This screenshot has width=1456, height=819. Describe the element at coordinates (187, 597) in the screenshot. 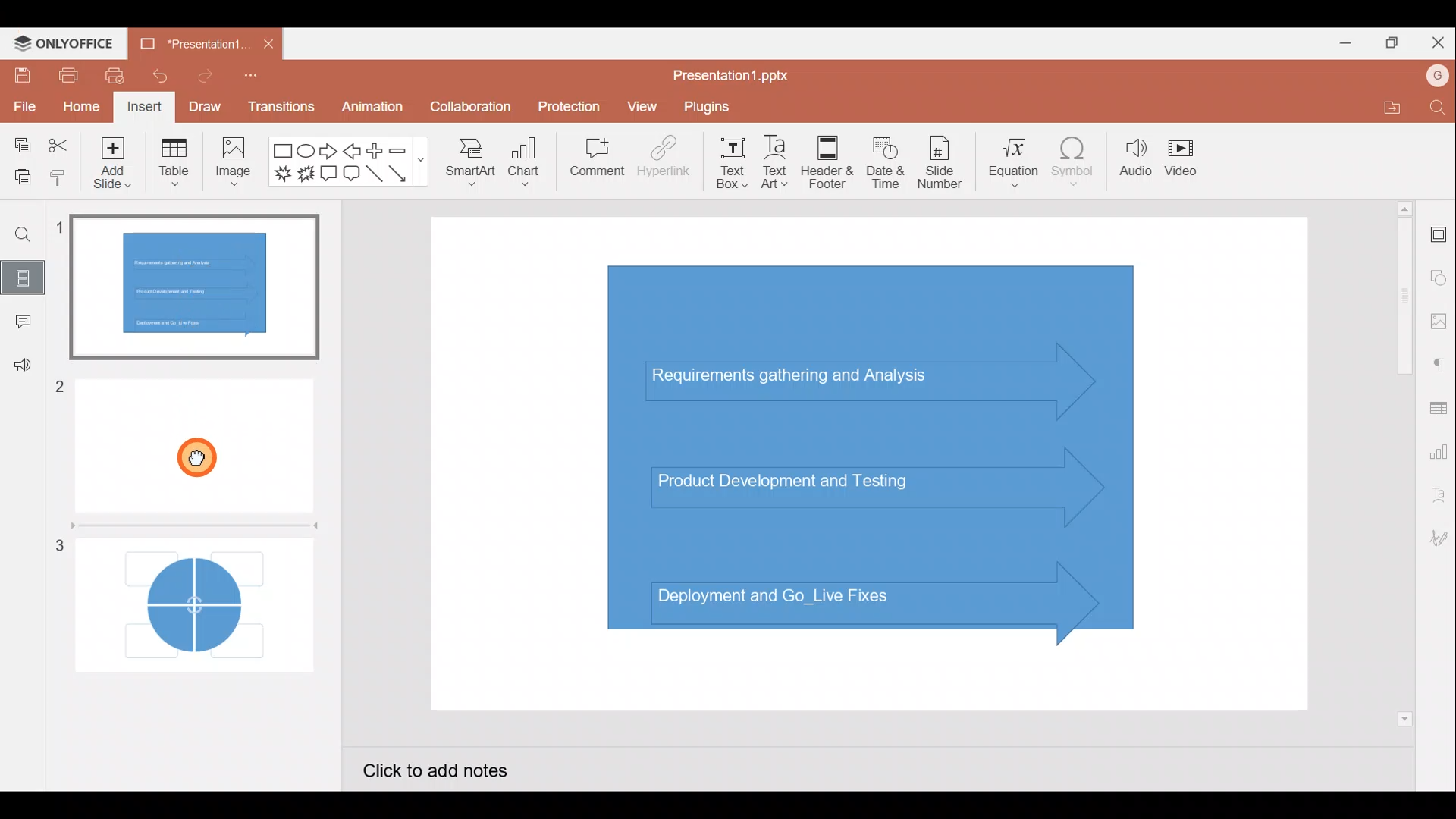

I see `Slide 3` at that location.